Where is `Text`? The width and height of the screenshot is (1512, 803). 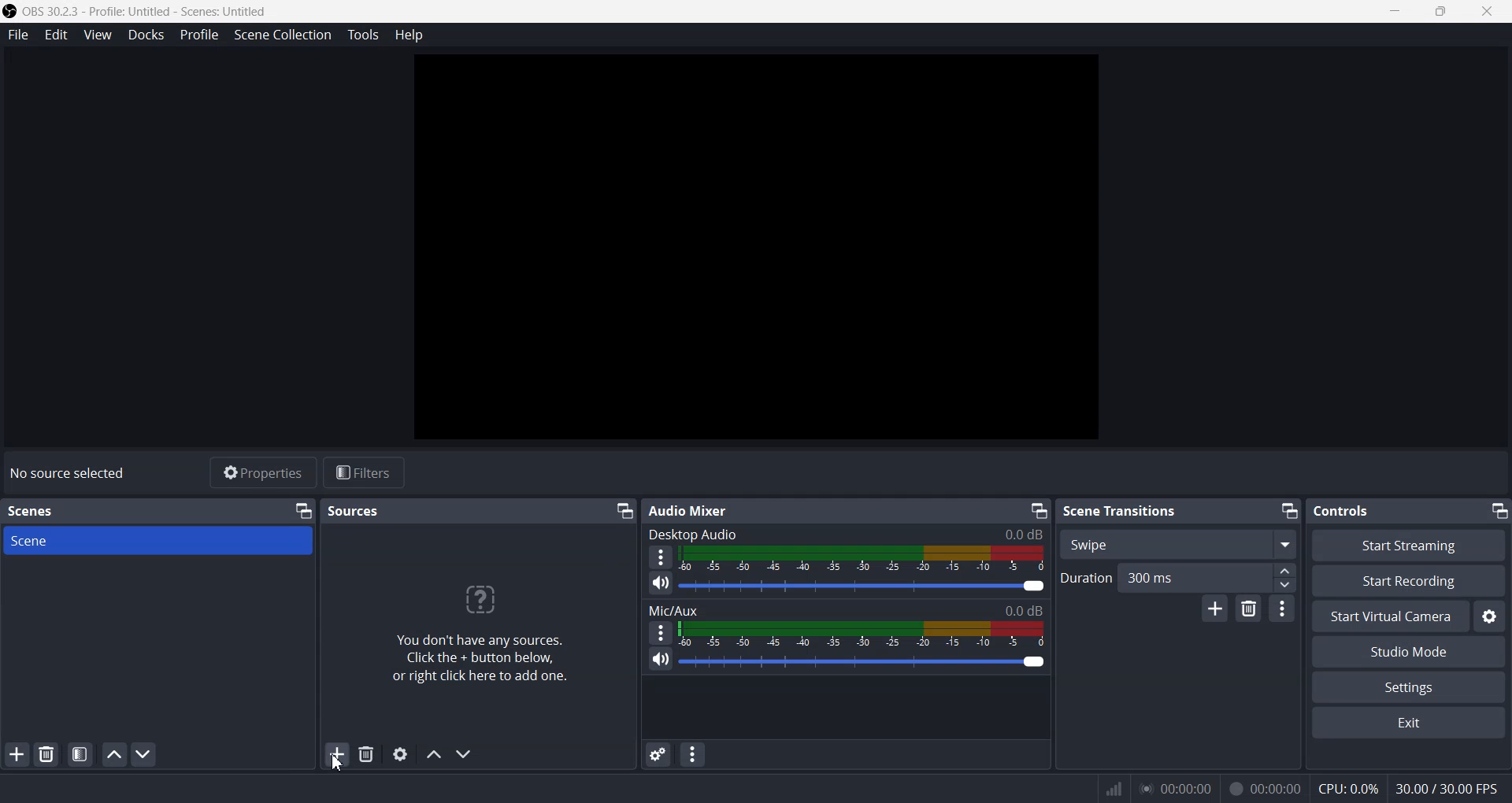
Text is located at coordinates (846, 533).